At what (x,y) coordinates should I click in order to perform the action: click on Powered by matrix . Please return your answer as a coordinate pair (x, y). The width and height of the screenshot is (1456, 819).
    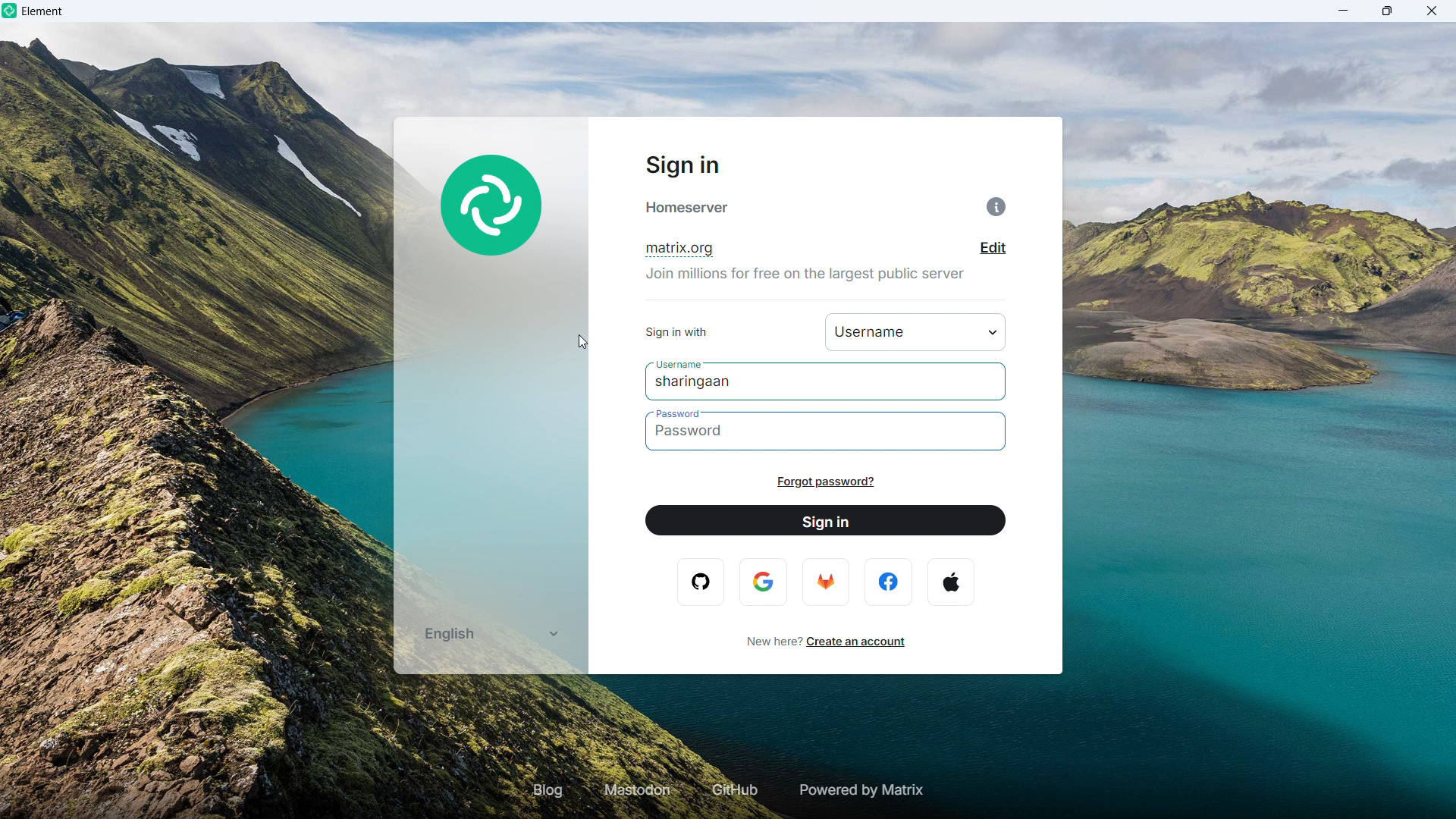
    Looking at the image, I should click on (859, 790).